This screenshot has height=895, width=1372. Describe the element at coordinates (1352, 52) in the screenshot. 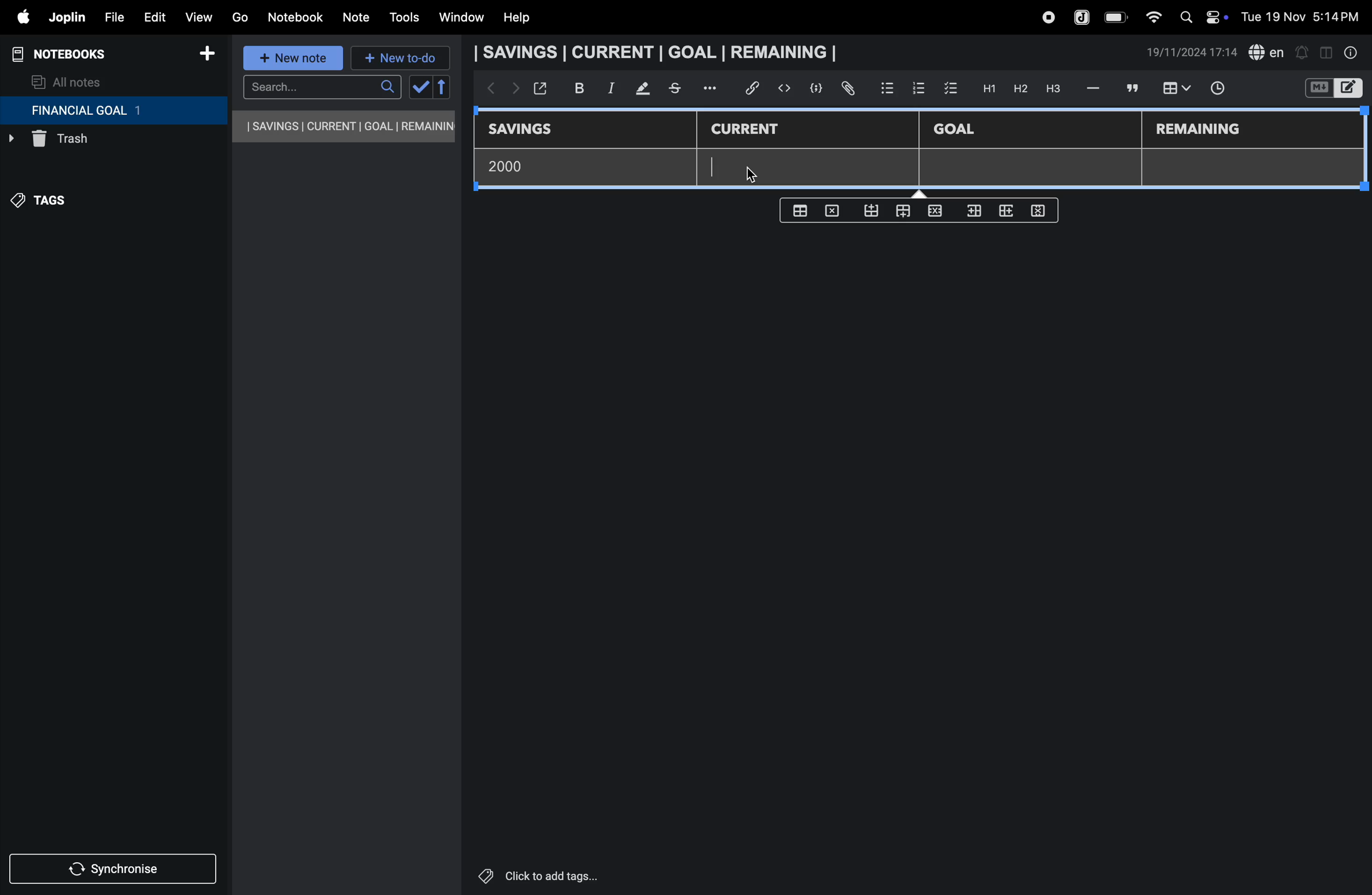

I see `info` at that location.